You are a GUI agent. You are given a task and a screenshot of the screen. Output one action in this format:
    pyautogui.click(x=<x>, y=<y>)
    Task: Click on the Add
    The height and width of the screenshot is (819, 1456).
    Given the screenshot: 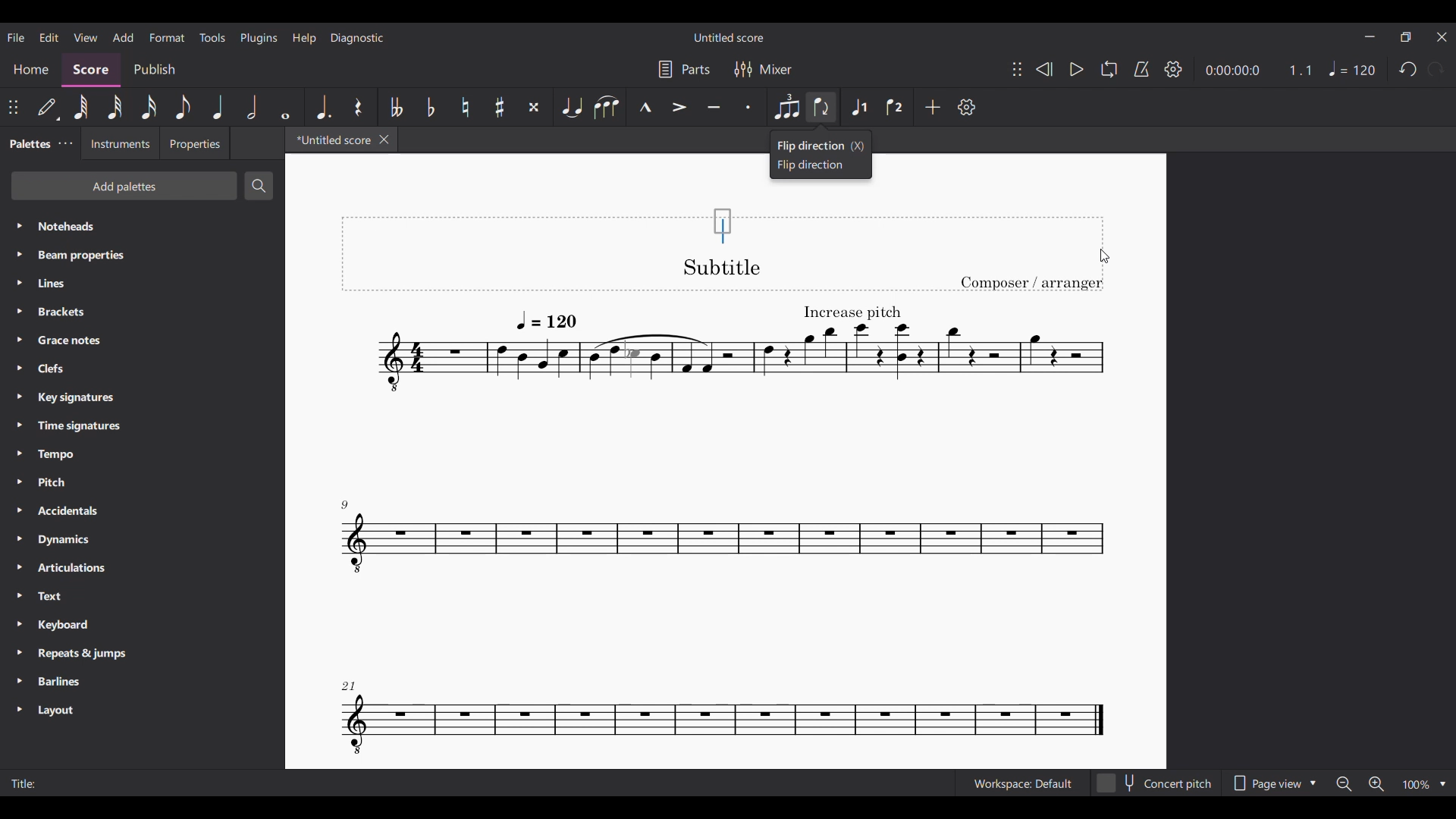 What is the action you would take?
    pyautogui.click(x=933, y=106)
    